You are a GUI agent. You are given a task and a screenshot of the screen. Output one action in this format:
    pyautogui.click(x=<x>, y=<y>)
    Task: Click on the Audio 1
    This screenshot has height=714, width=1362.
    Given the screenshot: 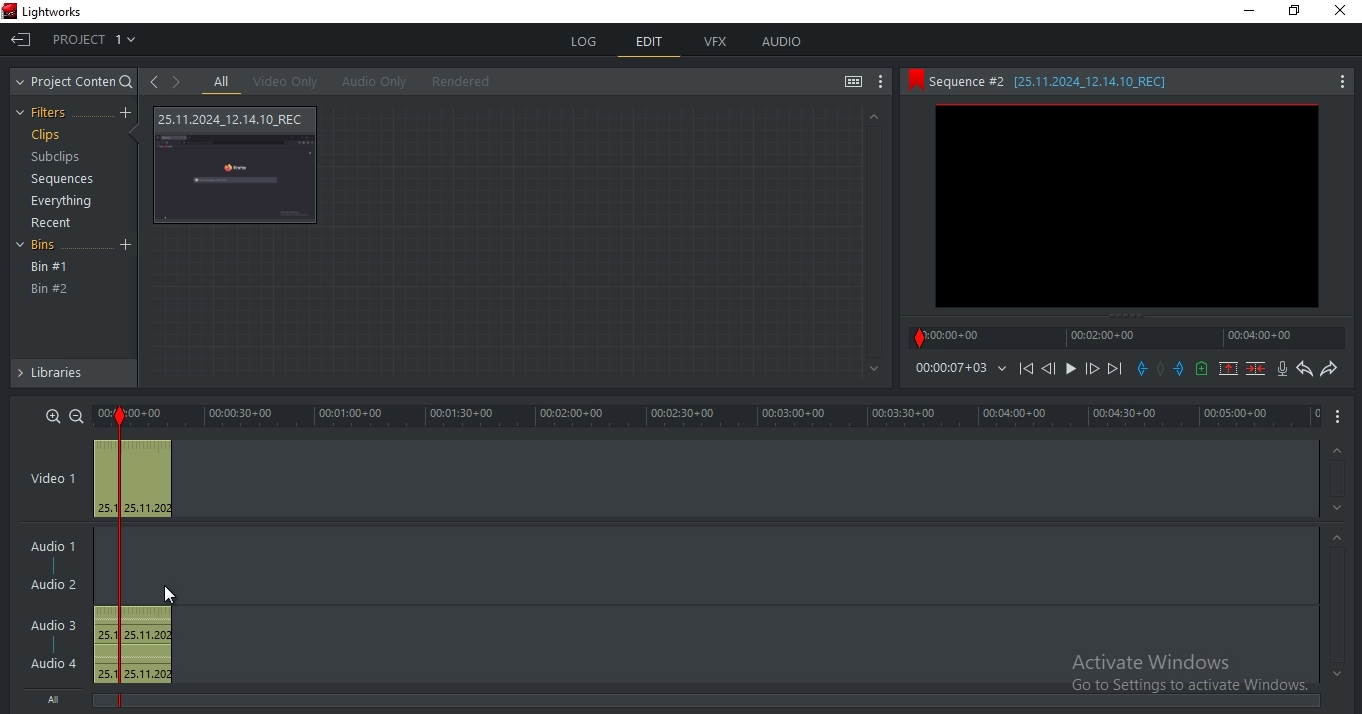 What is the action you would take?
    pyautogui.click(x=57, y=543)
    